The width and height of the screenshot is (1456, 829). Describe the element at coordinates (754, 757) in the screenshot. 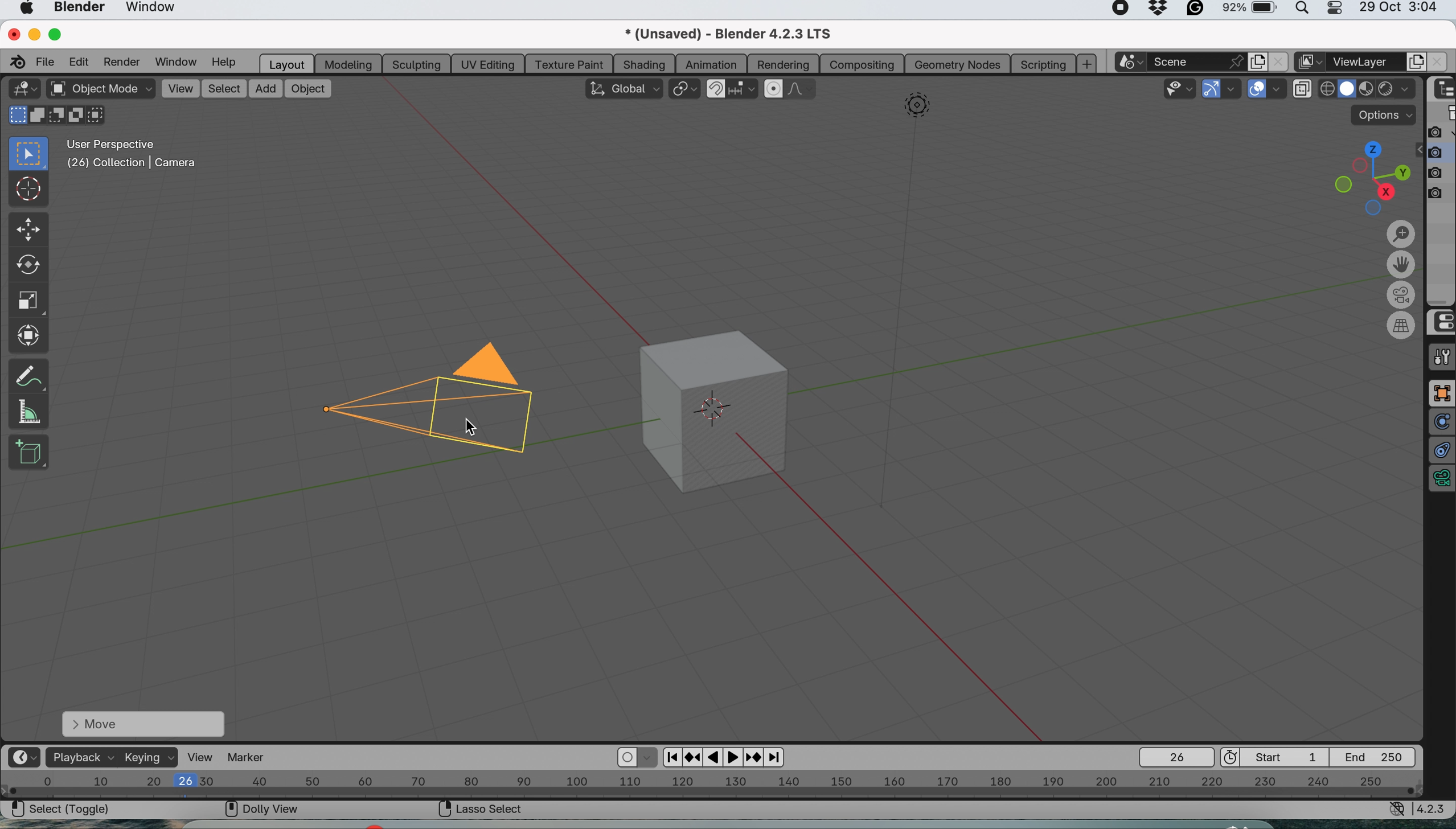

I see `Forward` at that location.